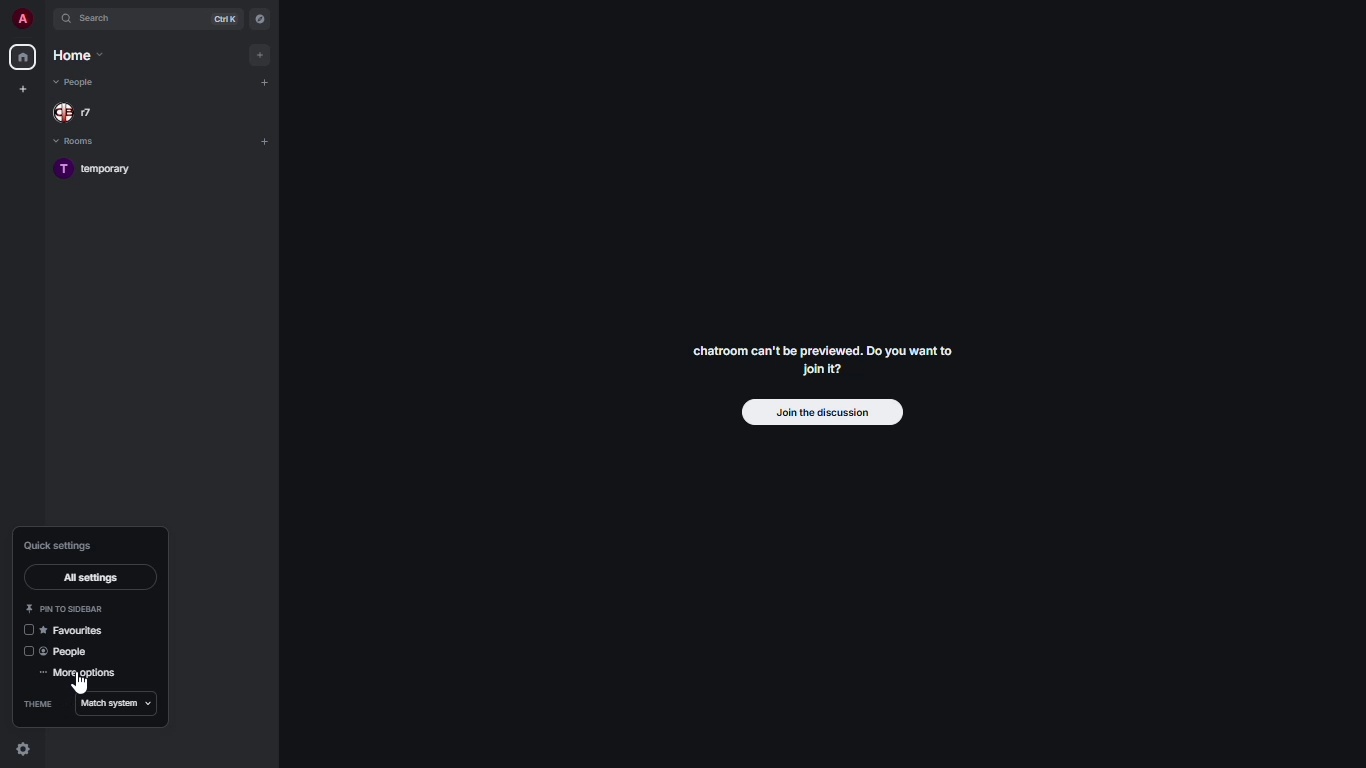  I want to click on quick settings, so click(22, 748).